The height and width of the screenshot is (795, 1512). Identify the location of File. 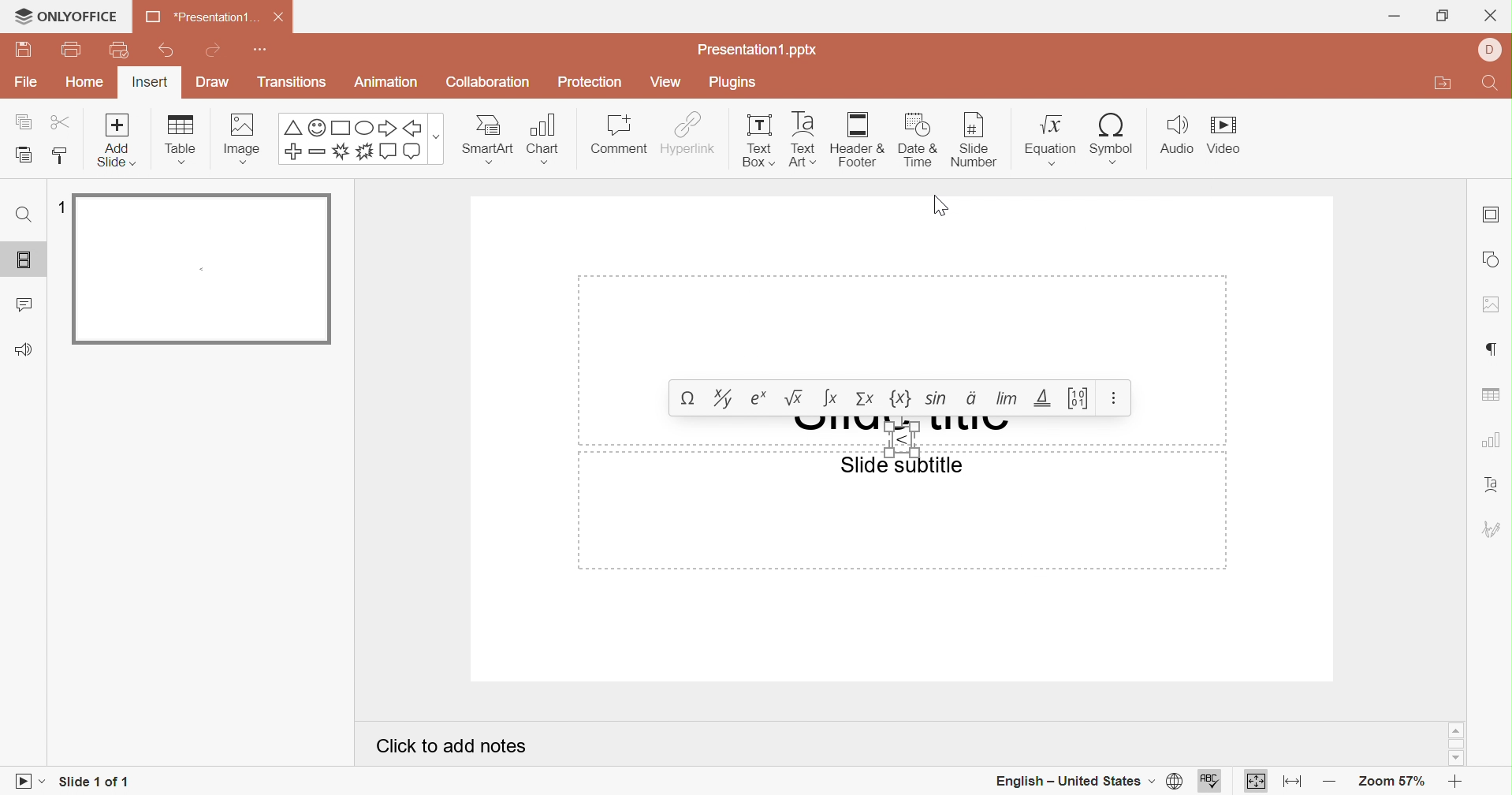
(28, 84).